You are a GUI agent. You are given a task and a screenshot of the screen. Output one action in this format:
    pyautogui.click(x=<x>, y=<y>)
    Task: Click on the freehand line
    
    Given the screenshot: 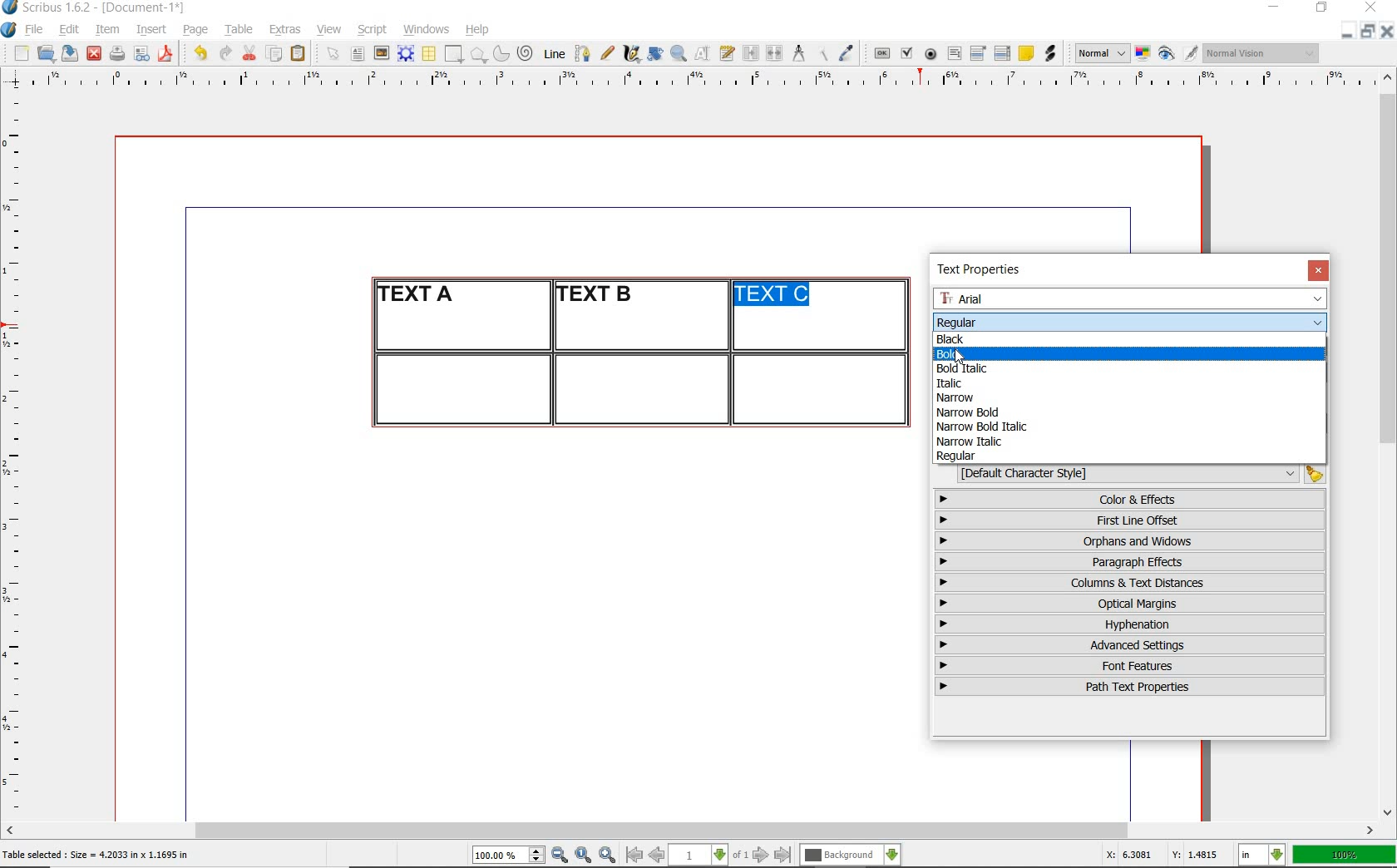 What is the action you would take?
    pyautogui.click(x=607, y=53)
    